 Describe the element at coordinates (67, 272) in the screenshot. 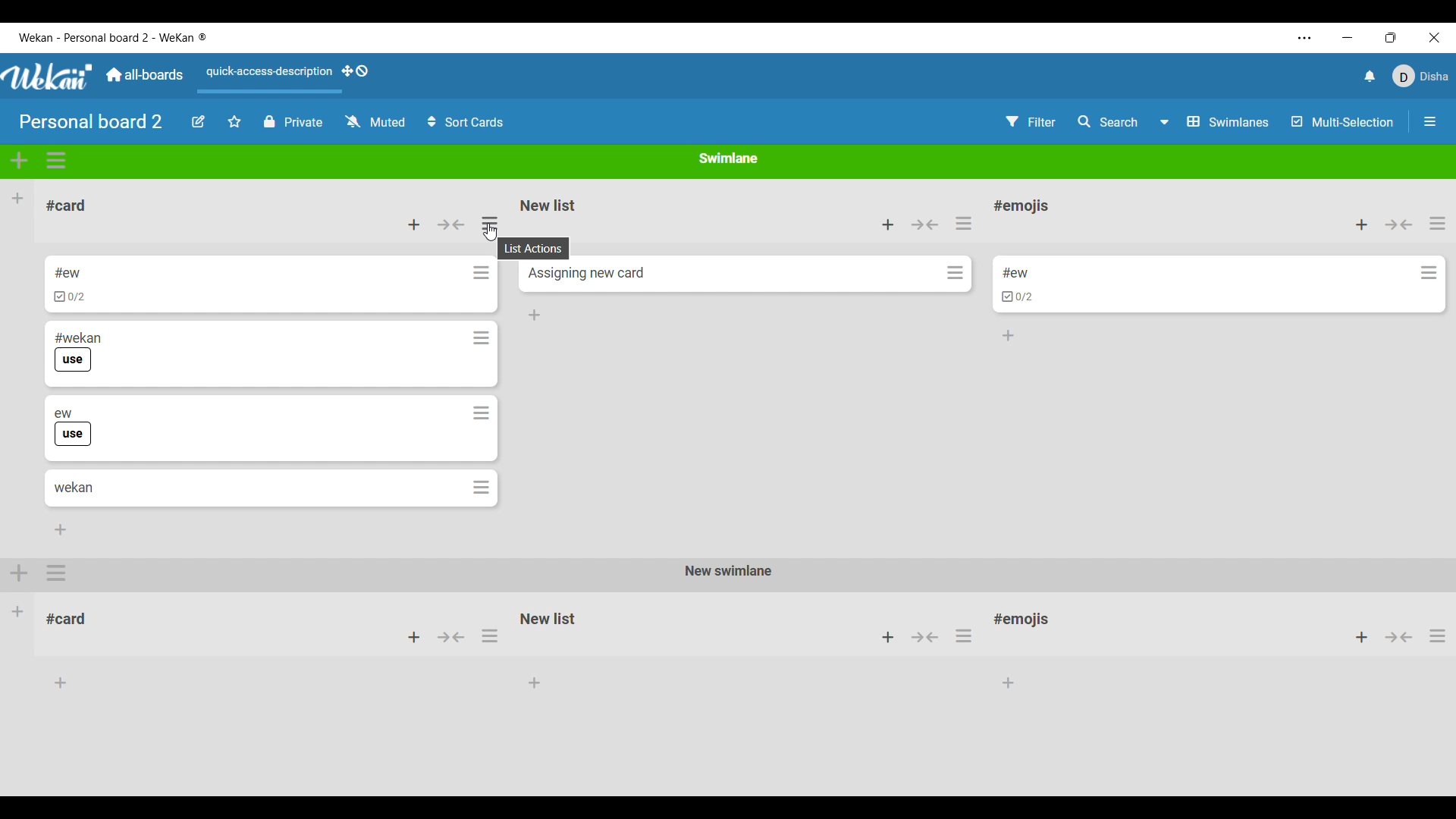

I see `Card name` at that location.